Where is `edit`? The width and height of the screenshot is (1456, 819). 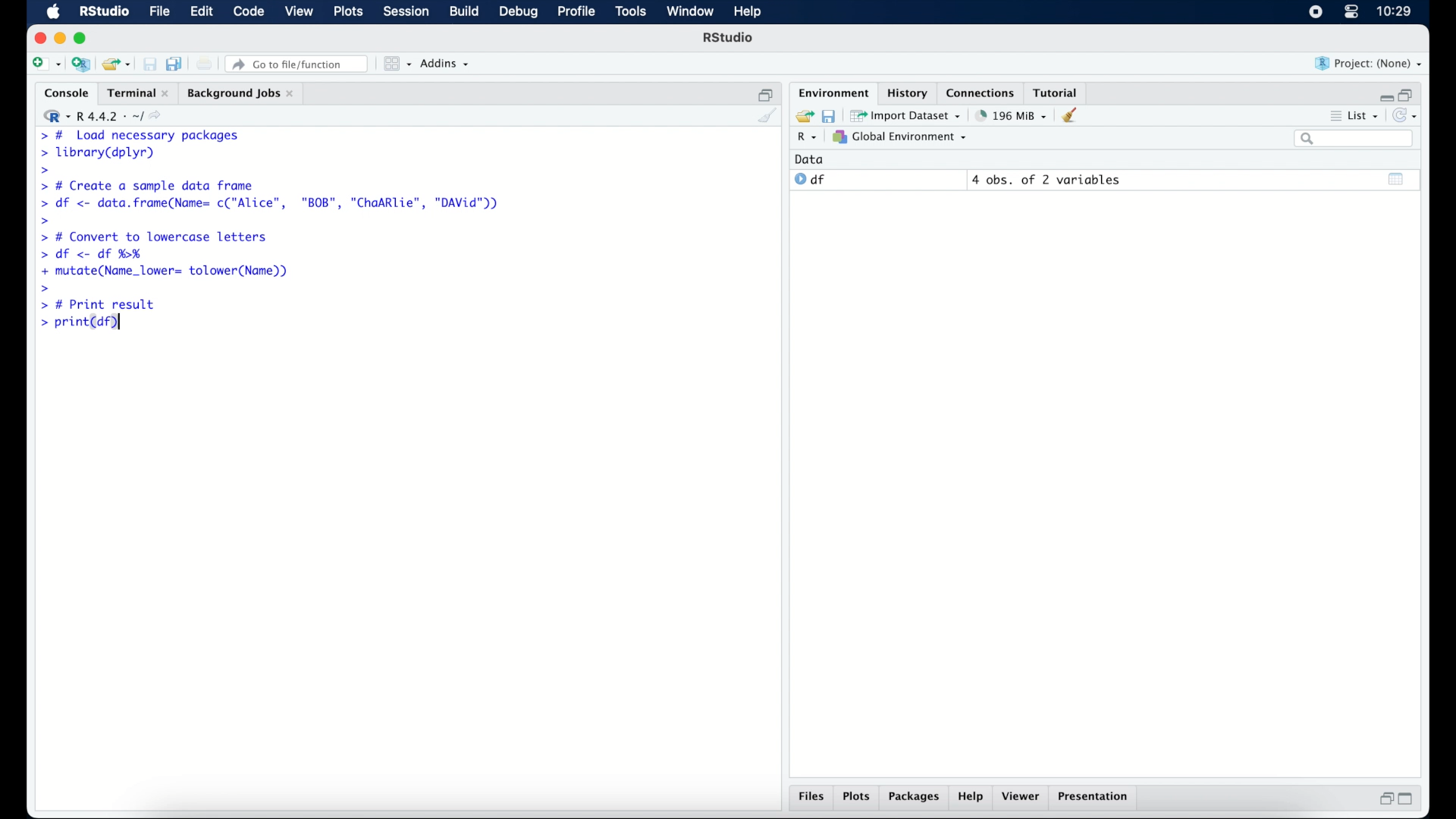 edit is located at coordinates (200, 12).